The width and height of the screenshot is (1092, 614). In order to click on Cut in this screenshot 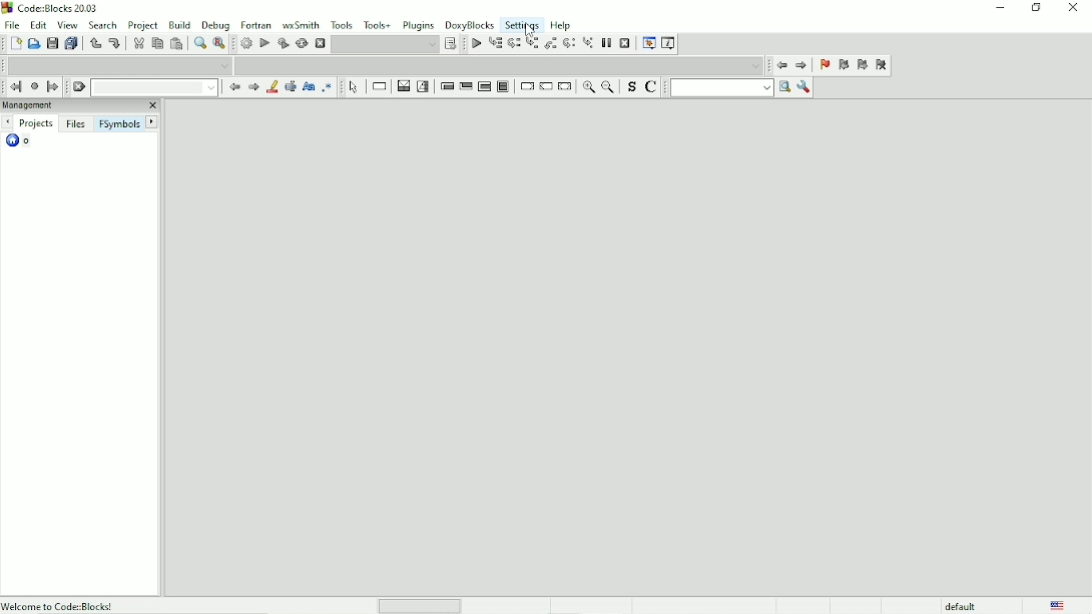, I will do `click(137, 43)`.